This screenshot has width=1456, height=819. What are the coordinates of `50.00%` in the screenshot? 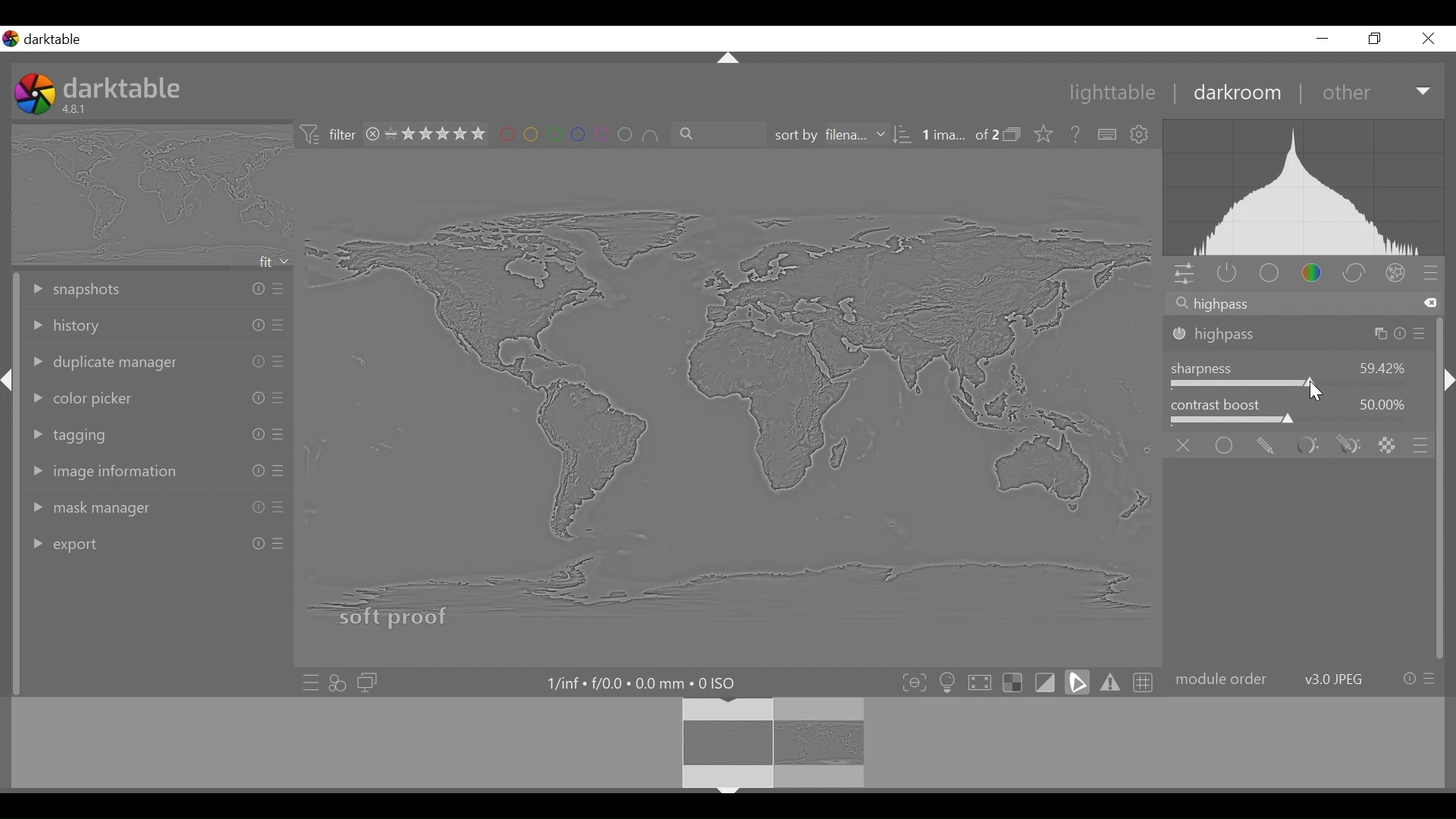 It's located at (1385, 403).